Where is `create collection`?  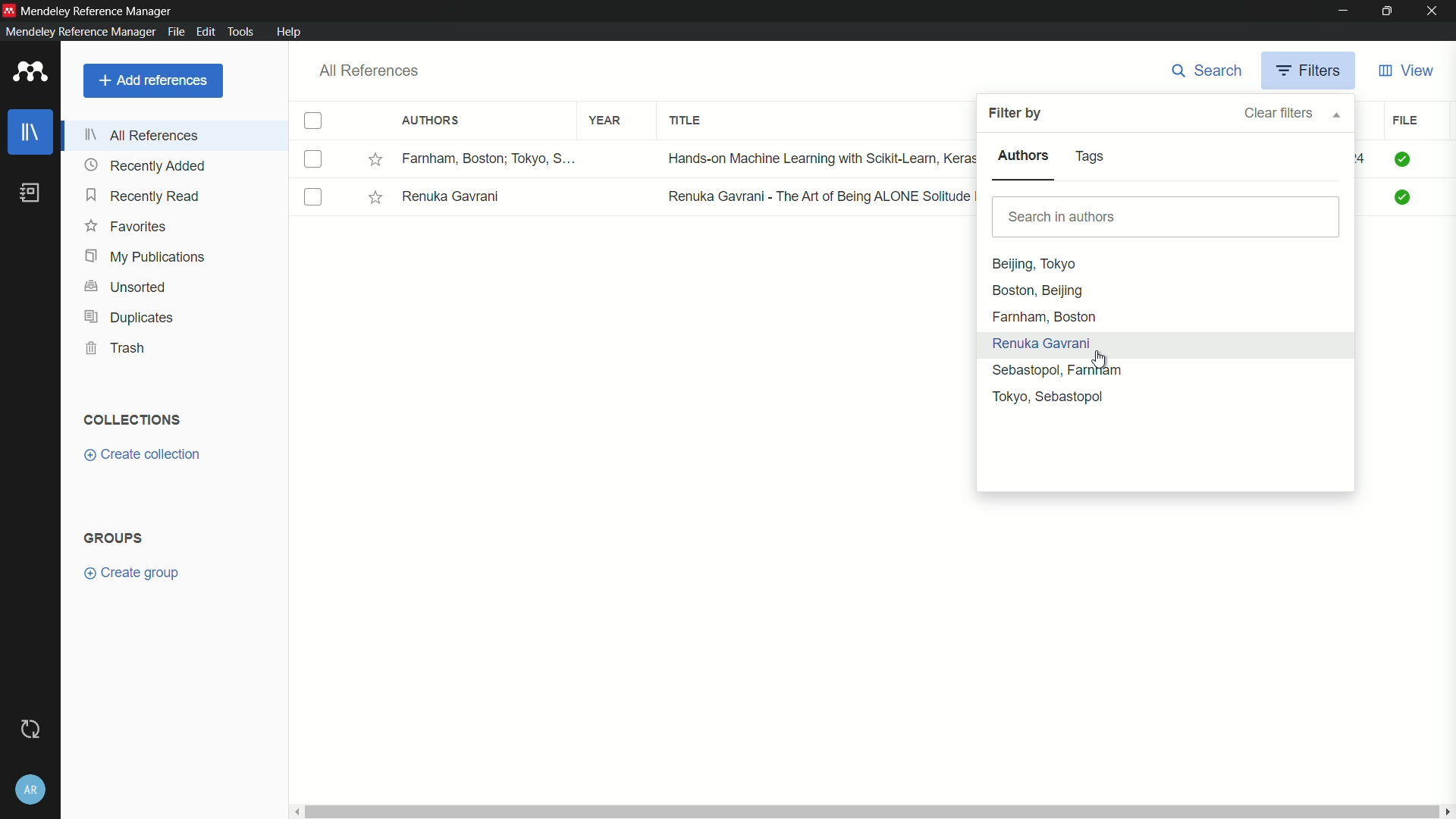 create collection is located at coordinates (144, 454).